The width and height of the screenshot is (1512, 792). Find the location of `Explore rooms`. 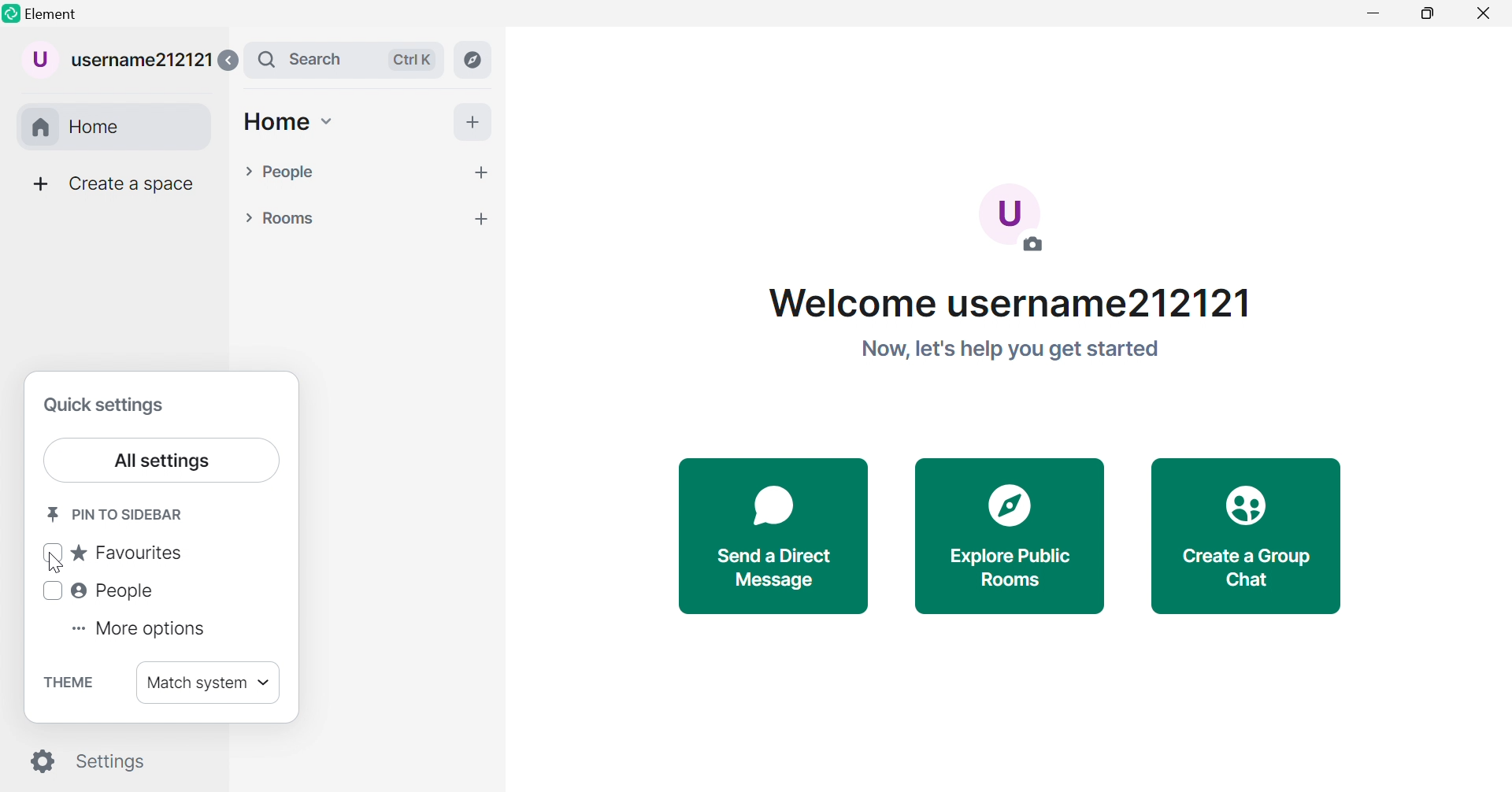

Explore rooms is located at coordinates (474, 60).